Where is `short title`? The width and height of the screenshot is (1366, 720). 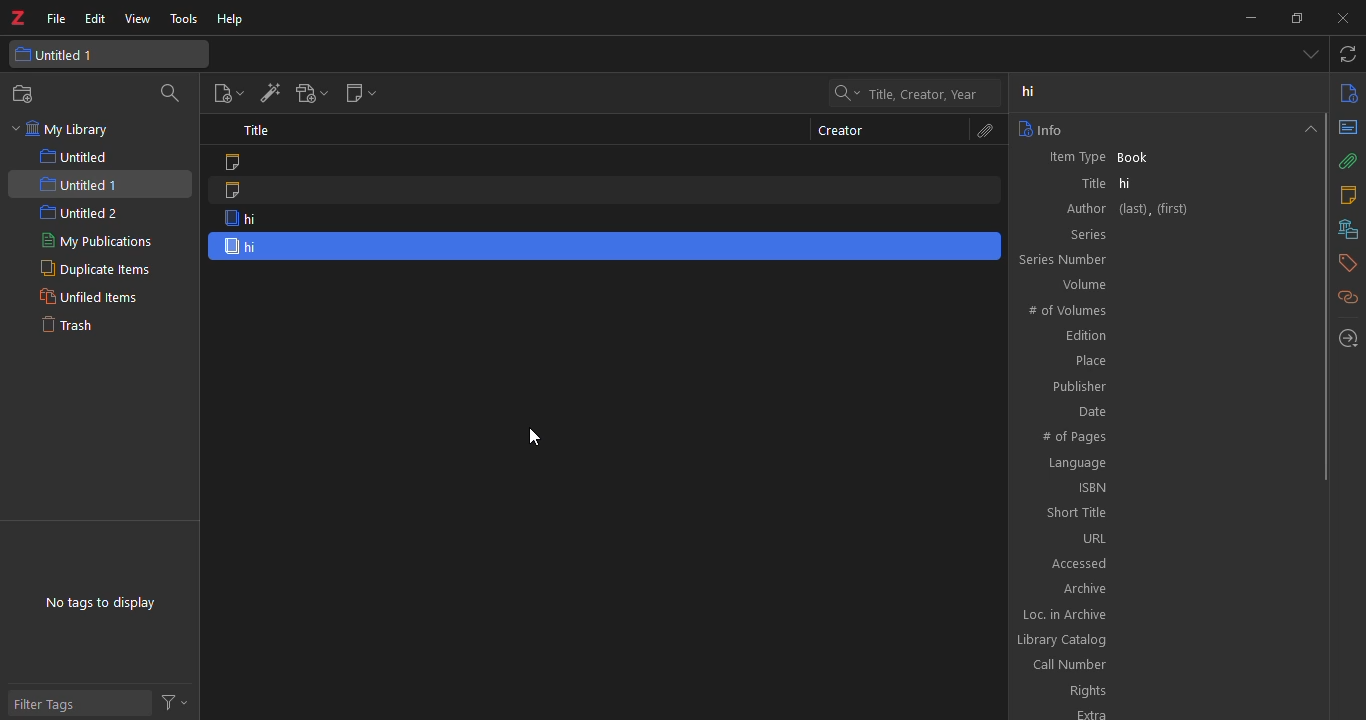
short title is located at coordinates (1077, 514).